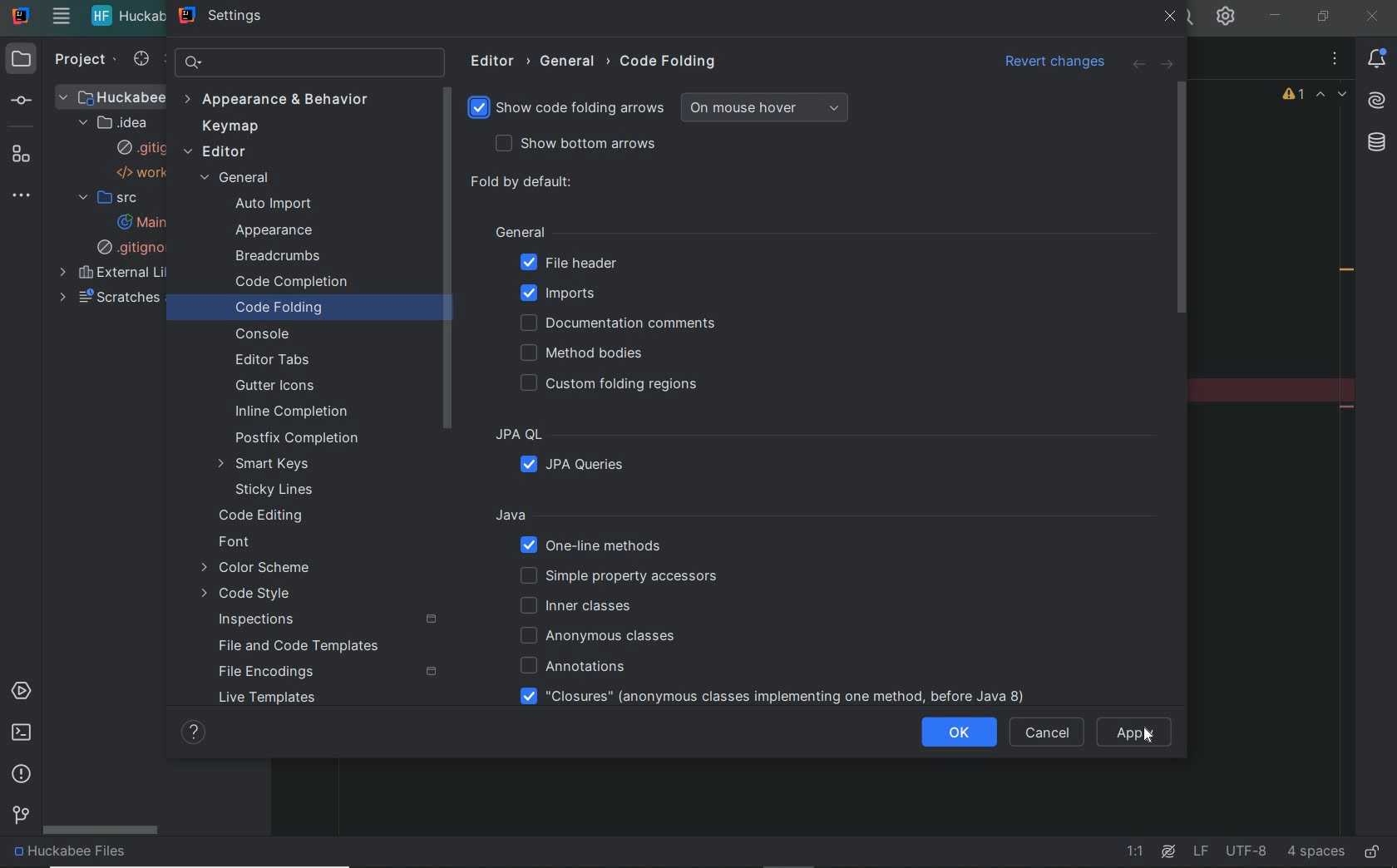 The width and height of the screenshot is (1397, 868). What do you see at coordinates (280, 256) in the screenshot?
I see `breadcrumbs` at bounding box center [280, 256].